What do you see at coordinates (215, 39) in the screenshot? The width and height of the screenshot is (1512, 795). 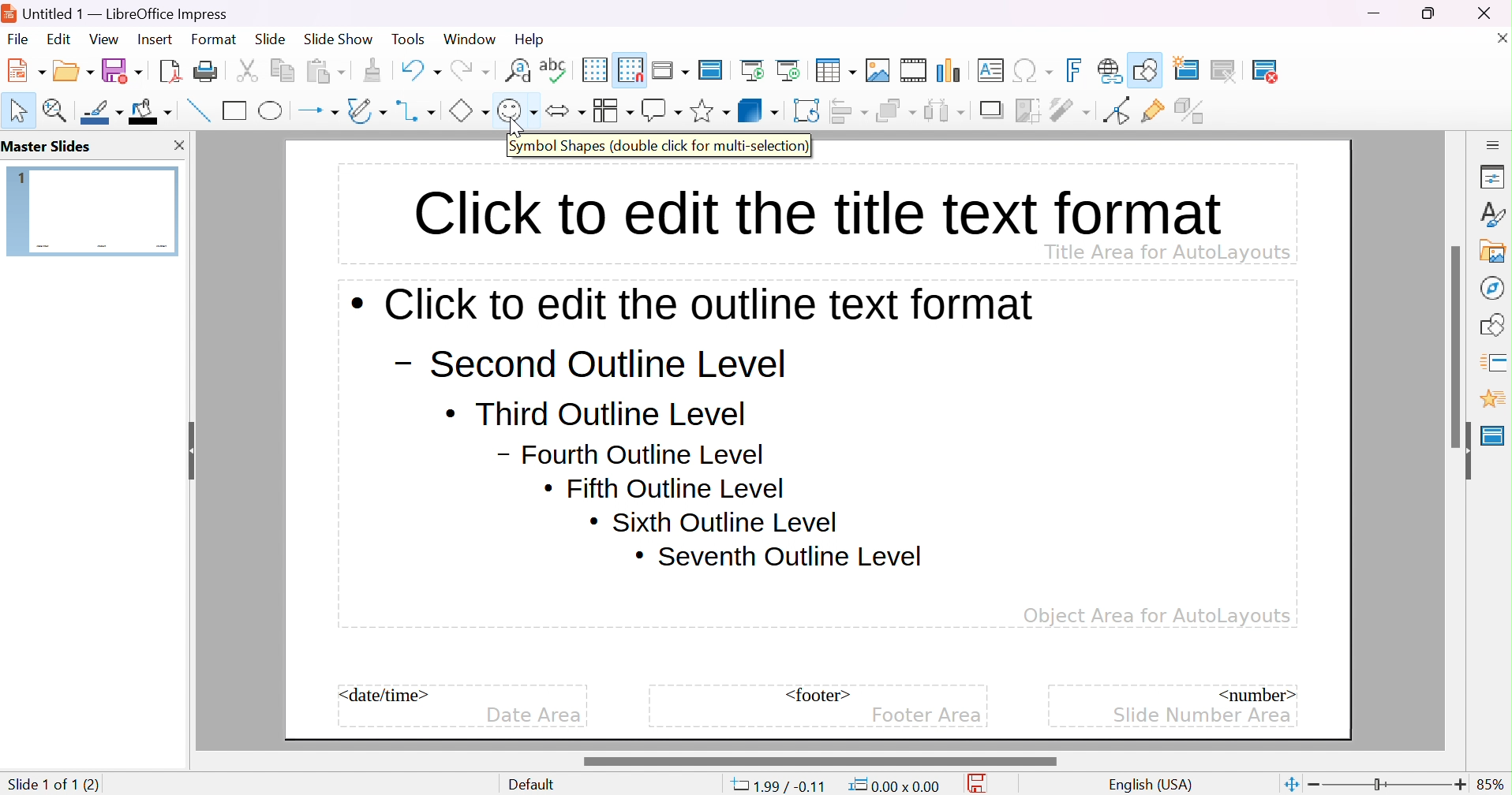 I see `format` at bounding box center [215, 39].